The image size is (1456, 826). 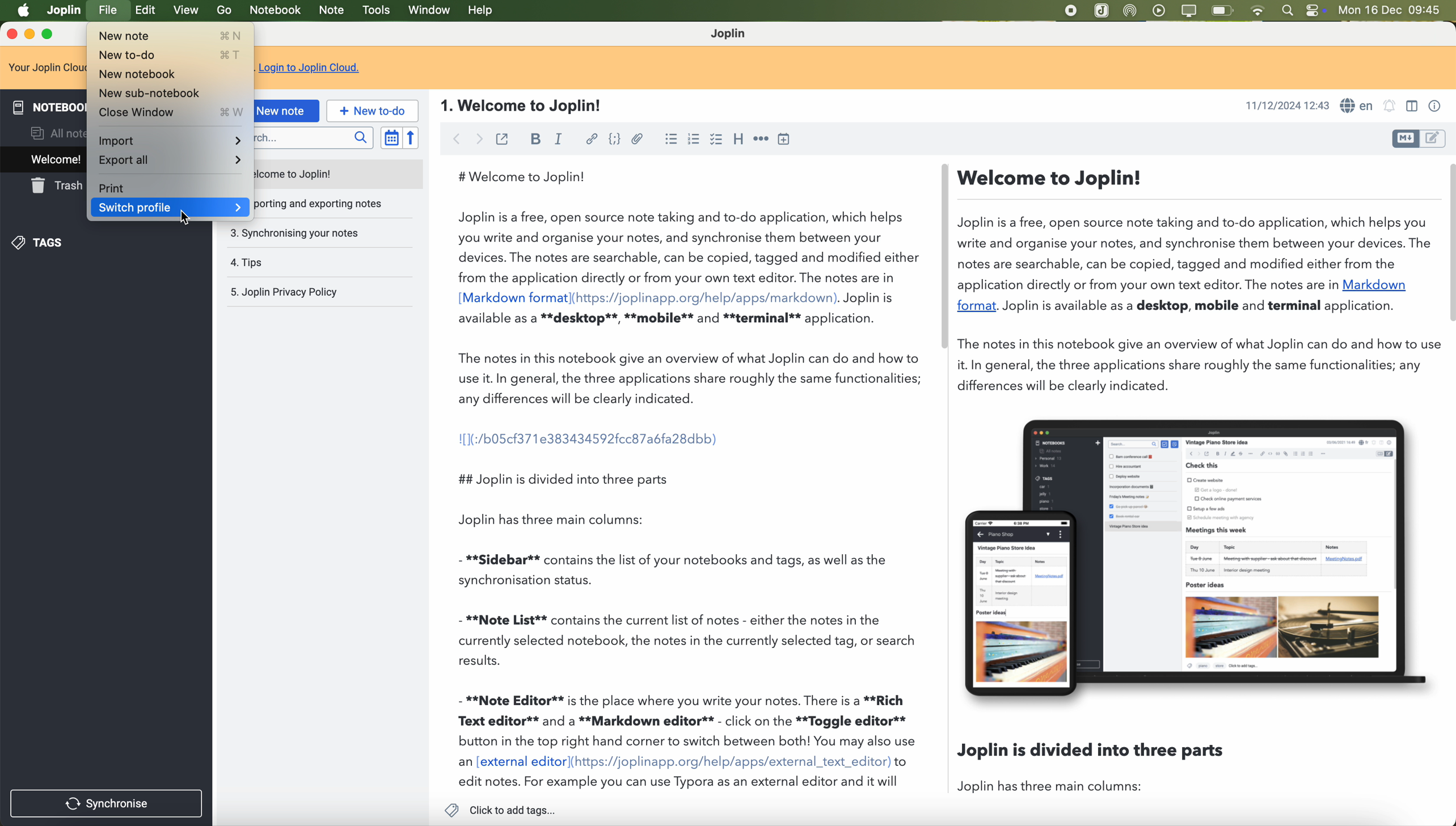 I want to click on wifi, so click(x=1260, y=11).